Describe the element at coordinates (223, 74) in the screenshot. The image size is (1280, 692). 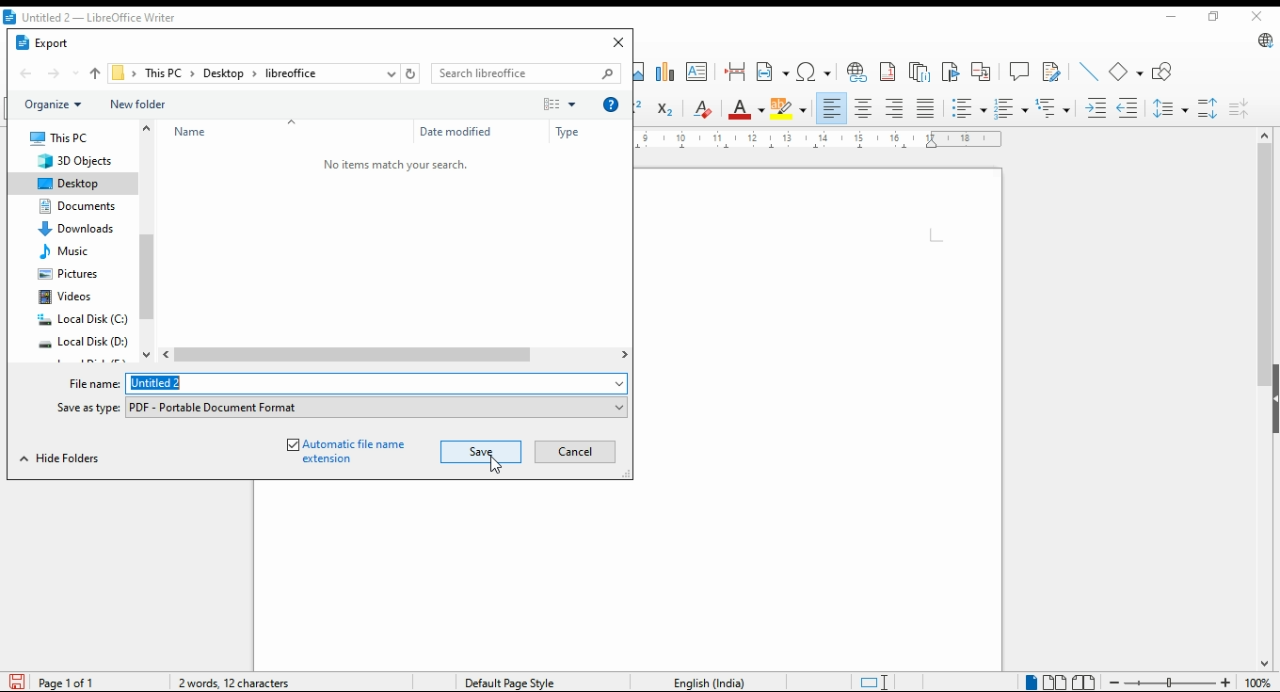
I see `desktop` at that location.